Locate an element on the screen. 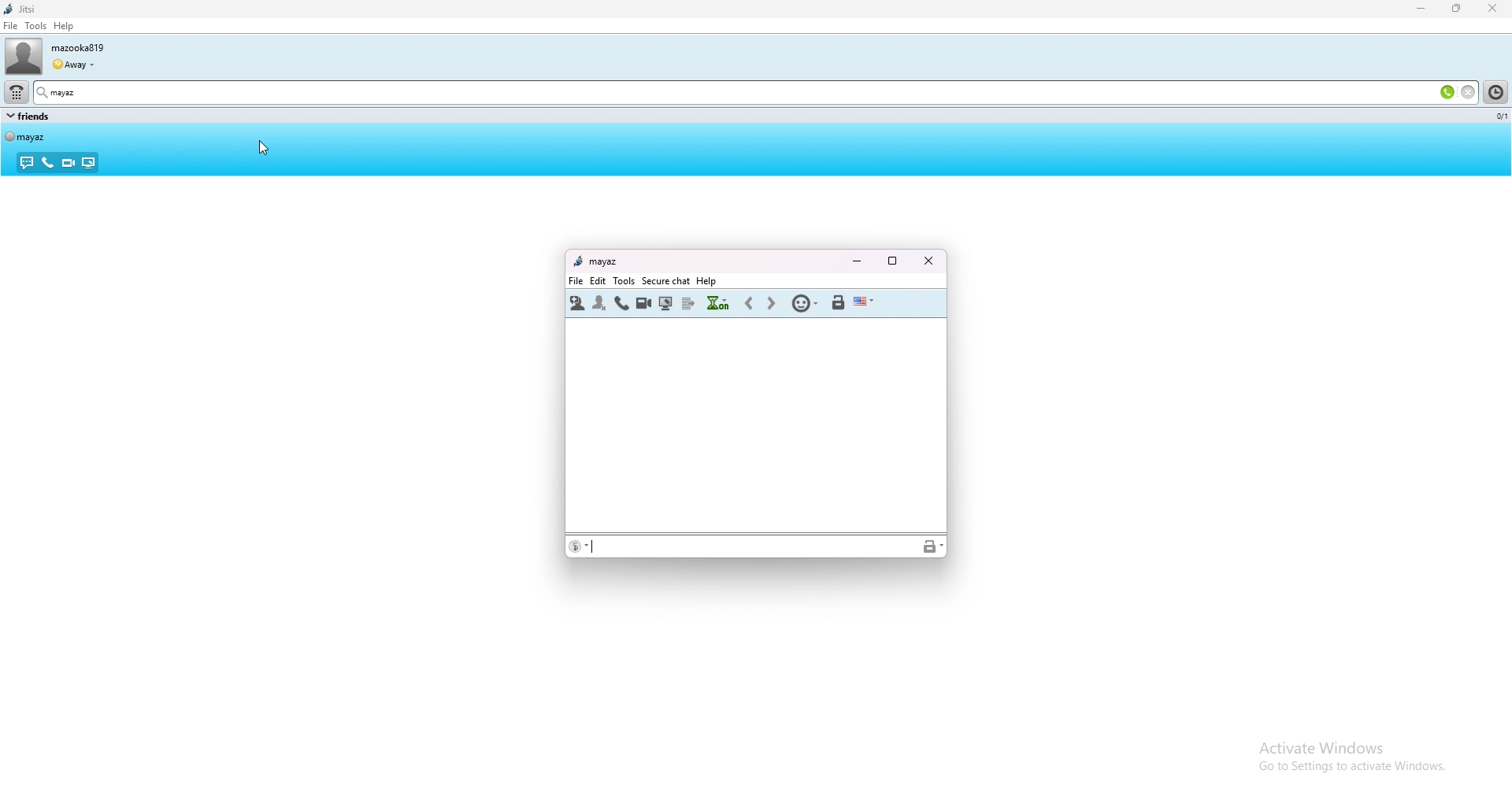 This screenshot has width=1512, height=811. leave is located at coordinates (599, 303).